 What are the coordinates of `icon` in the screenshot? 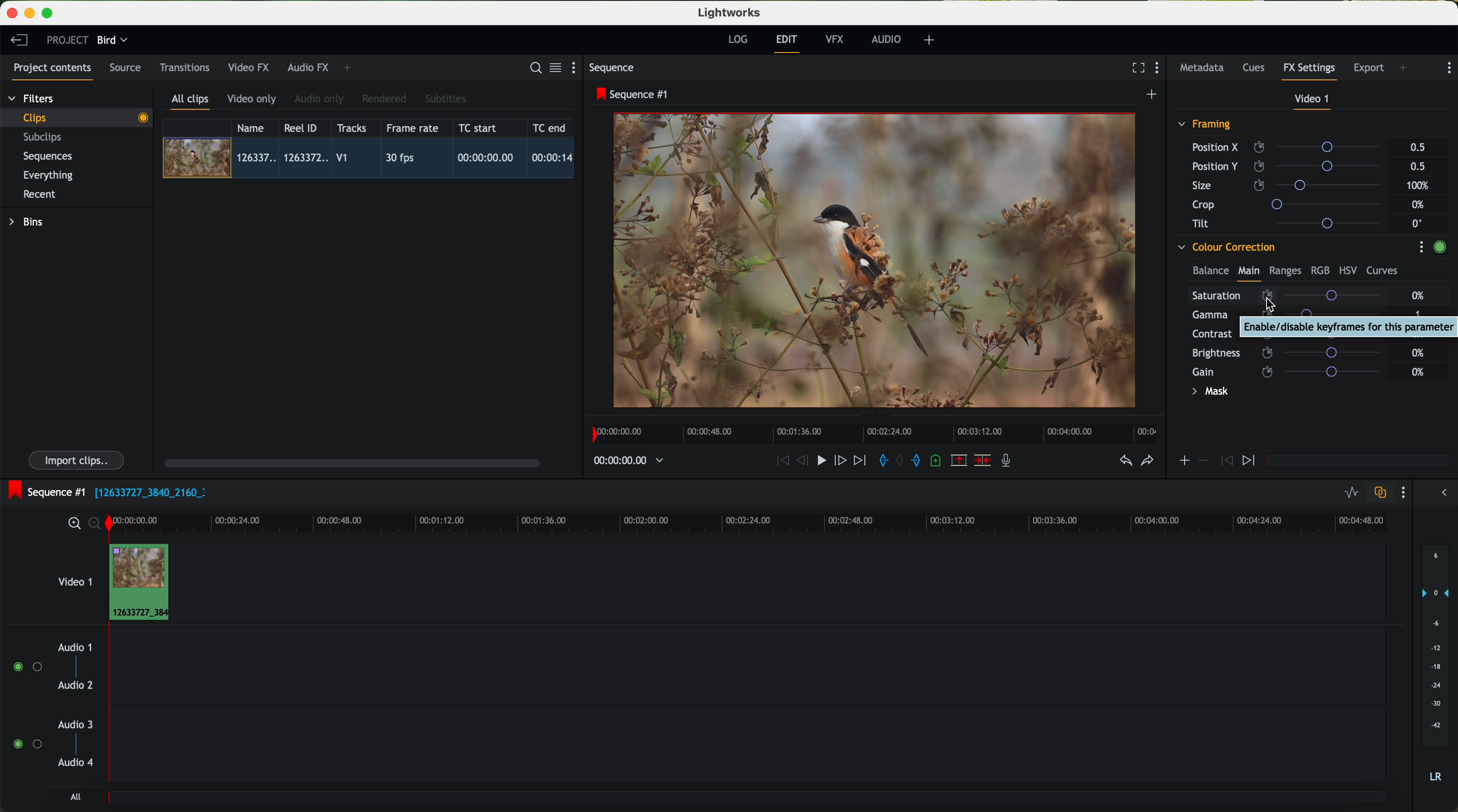 It's located at (1183, 462).